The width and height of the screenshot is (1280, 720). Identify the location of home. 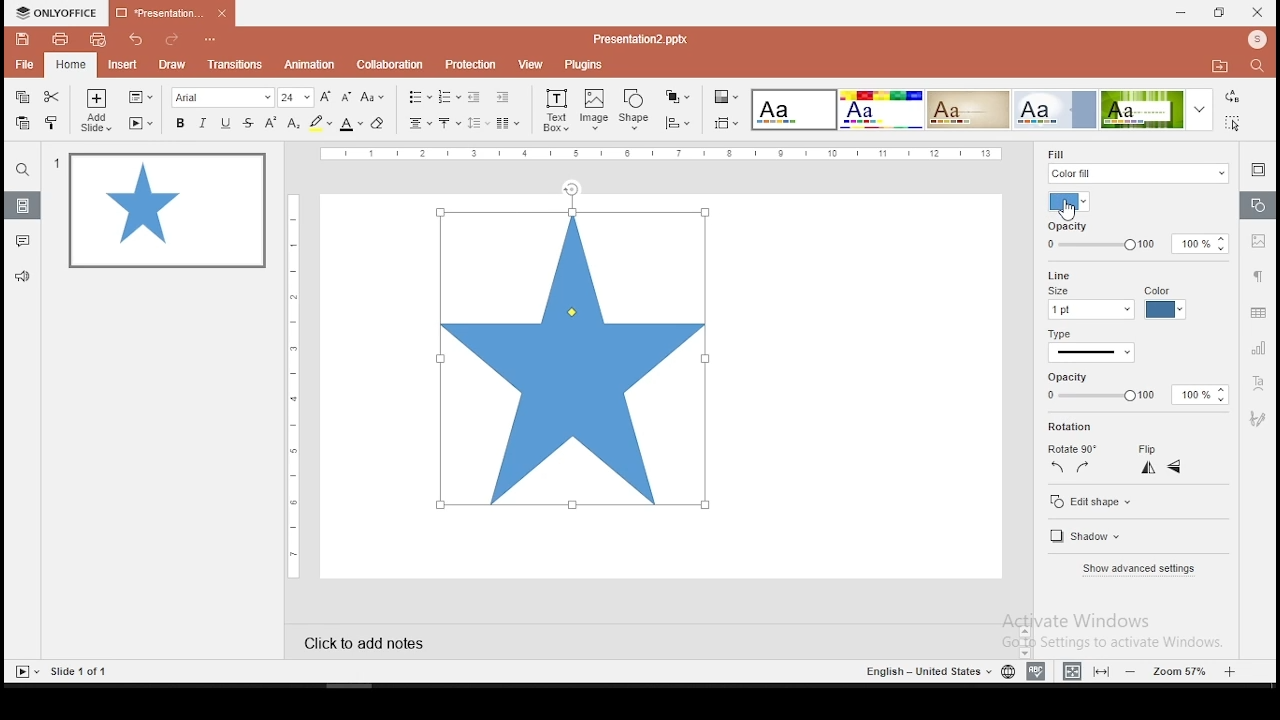
(71, 66).